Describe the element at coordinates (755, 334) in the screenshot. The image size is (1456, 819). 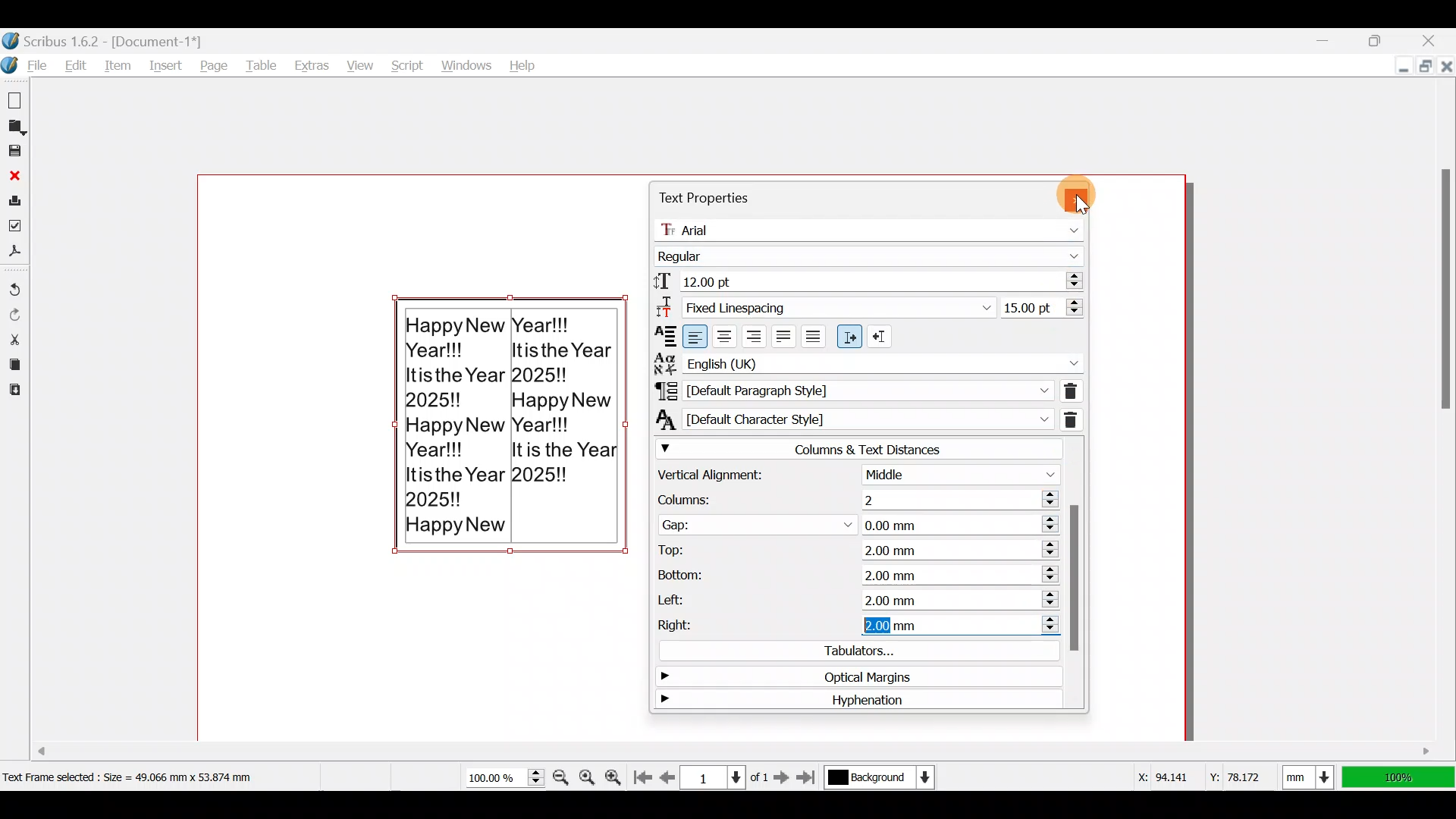
I see `Align text right` at that location.